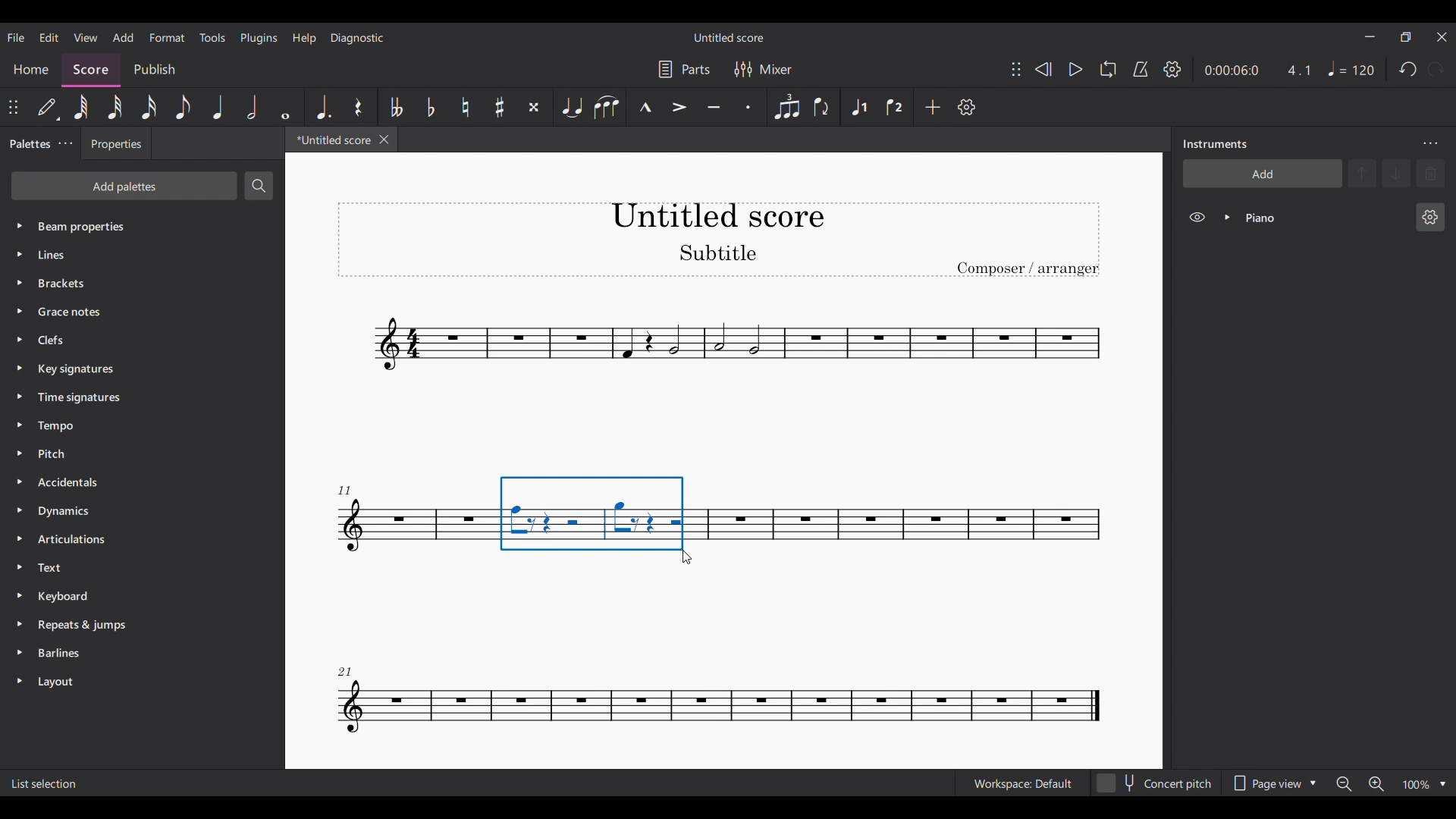 This screenshot has height=819, width=1456. Describe the element at coordinates (689, 557) in the screenshot. I see `Cursor position unchanged` at that location.